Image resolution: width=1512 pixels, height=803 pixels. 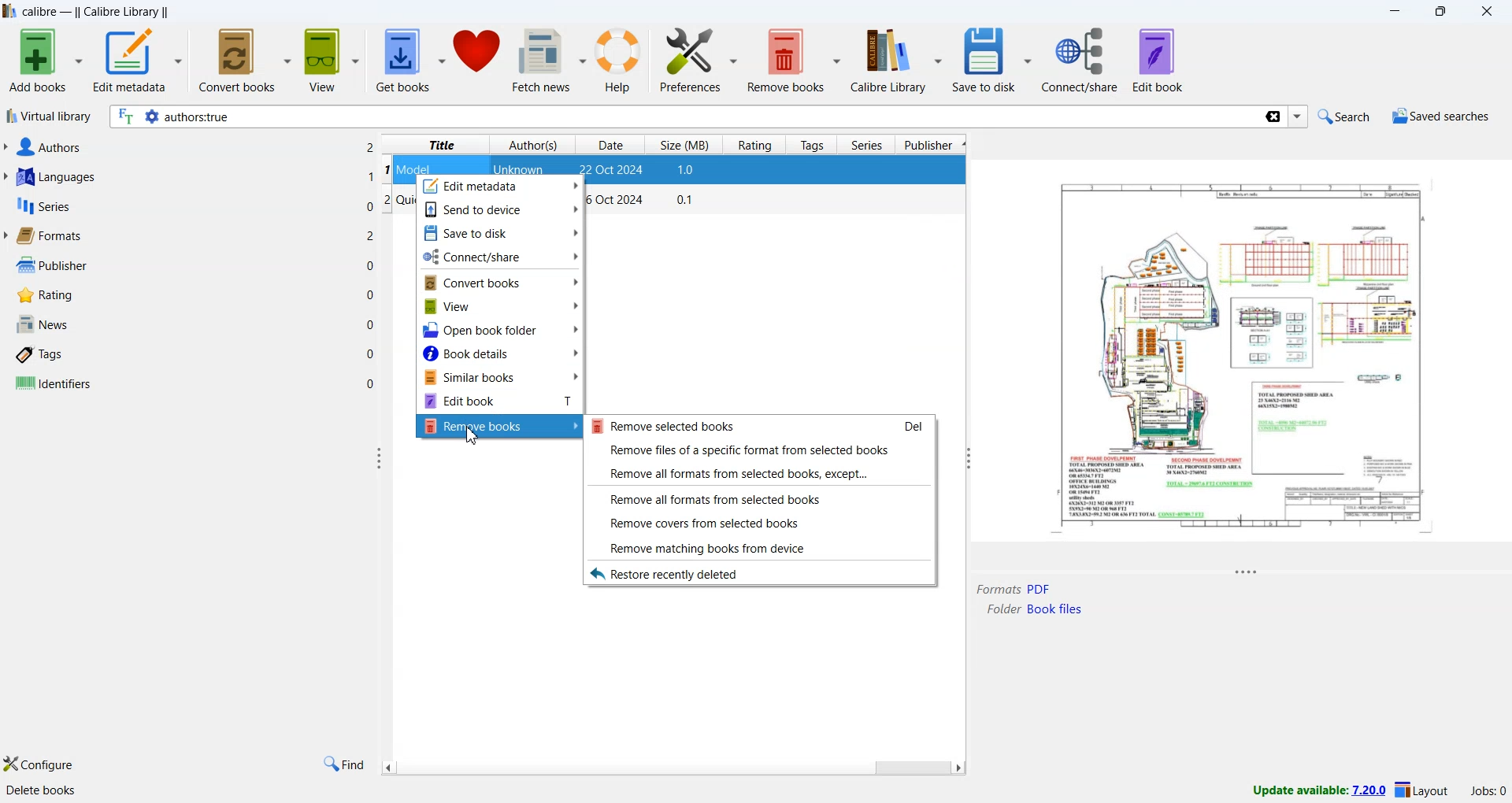 I want to click on Remove covers from selected books, so click(x=761, y=524).